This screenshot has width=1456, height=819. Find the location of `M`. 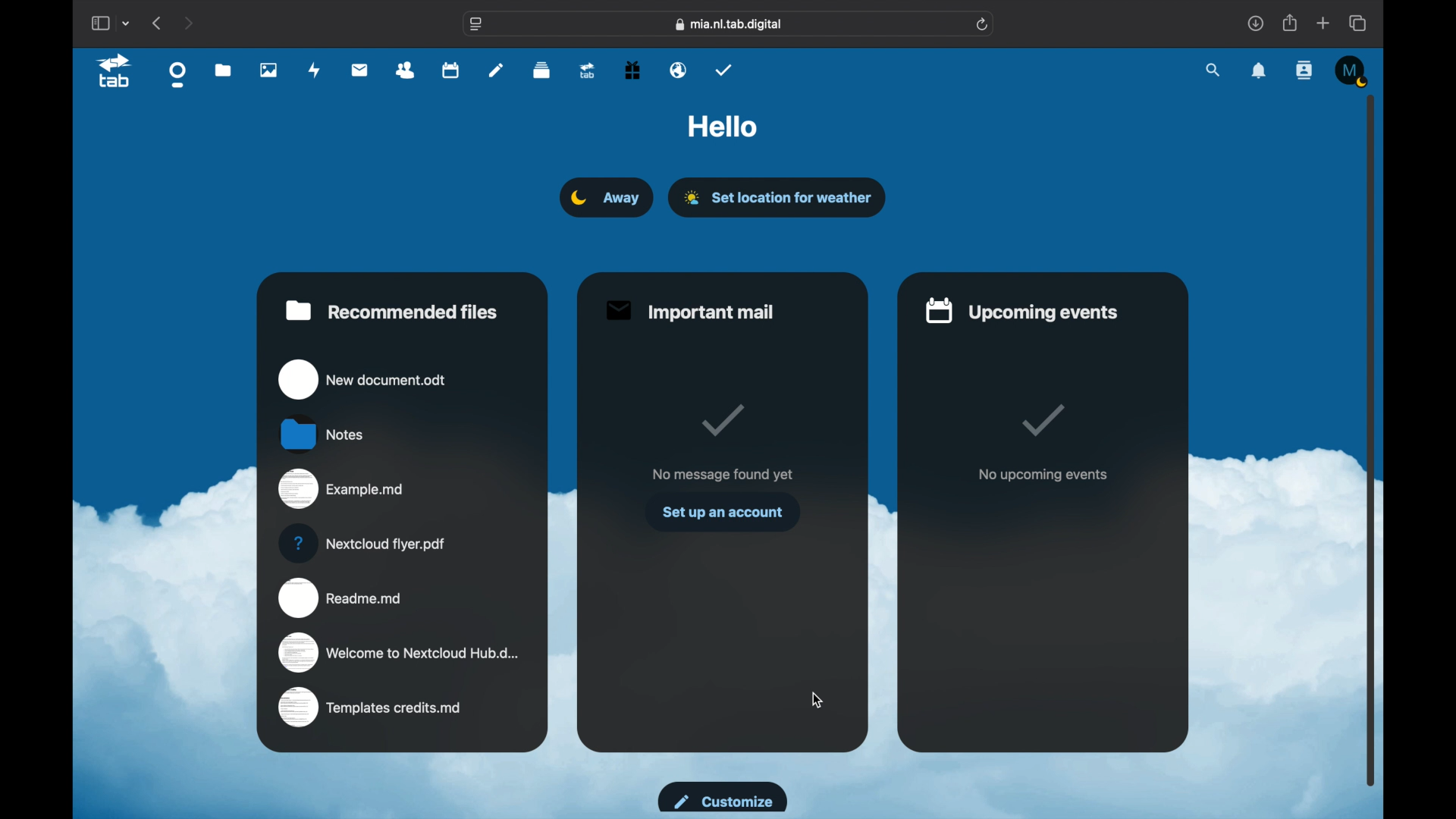

M is located at coordinates (1353, 71).